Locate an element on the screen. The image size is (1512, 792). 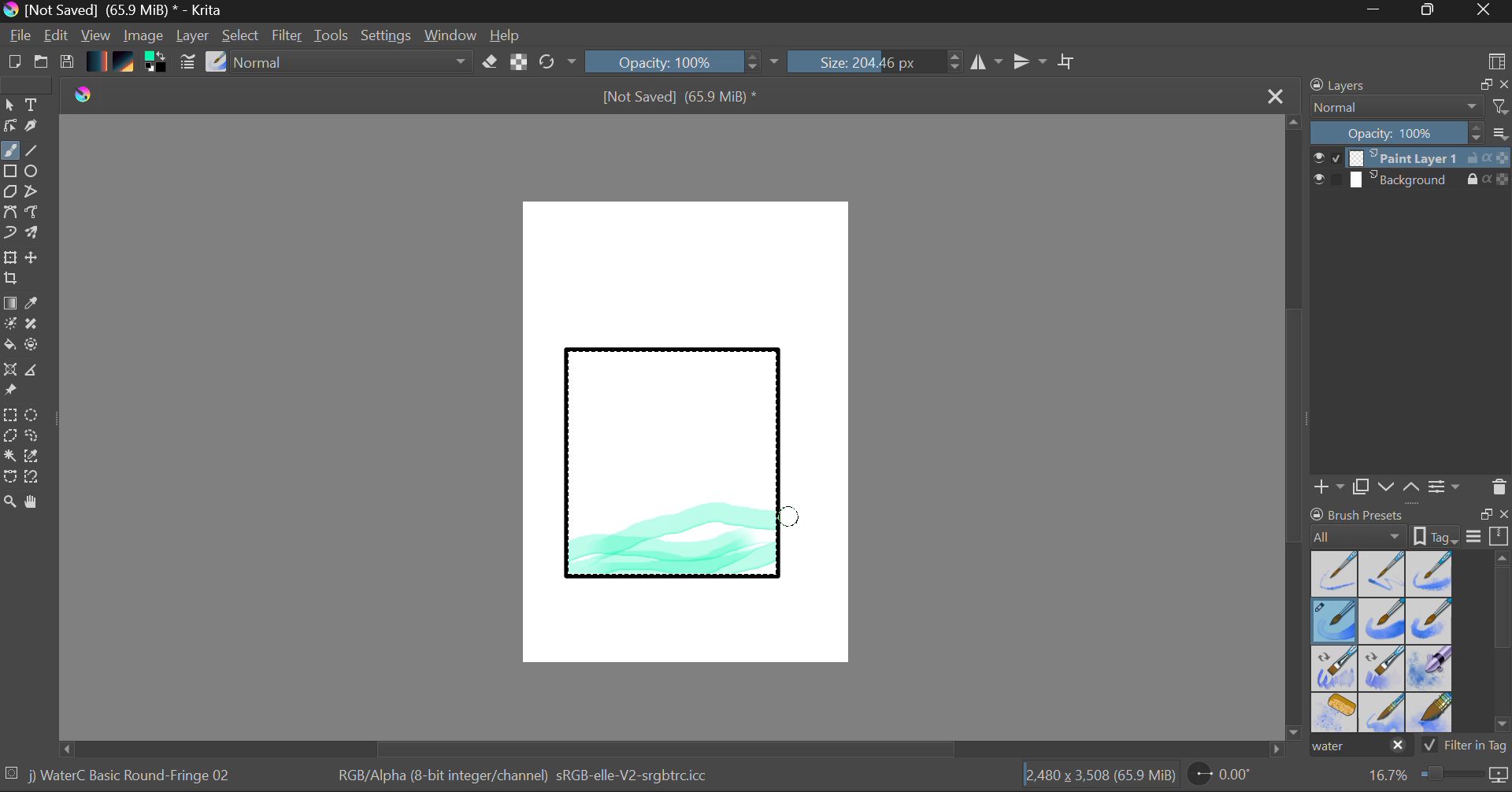
New is located at coordinates (13, 64).